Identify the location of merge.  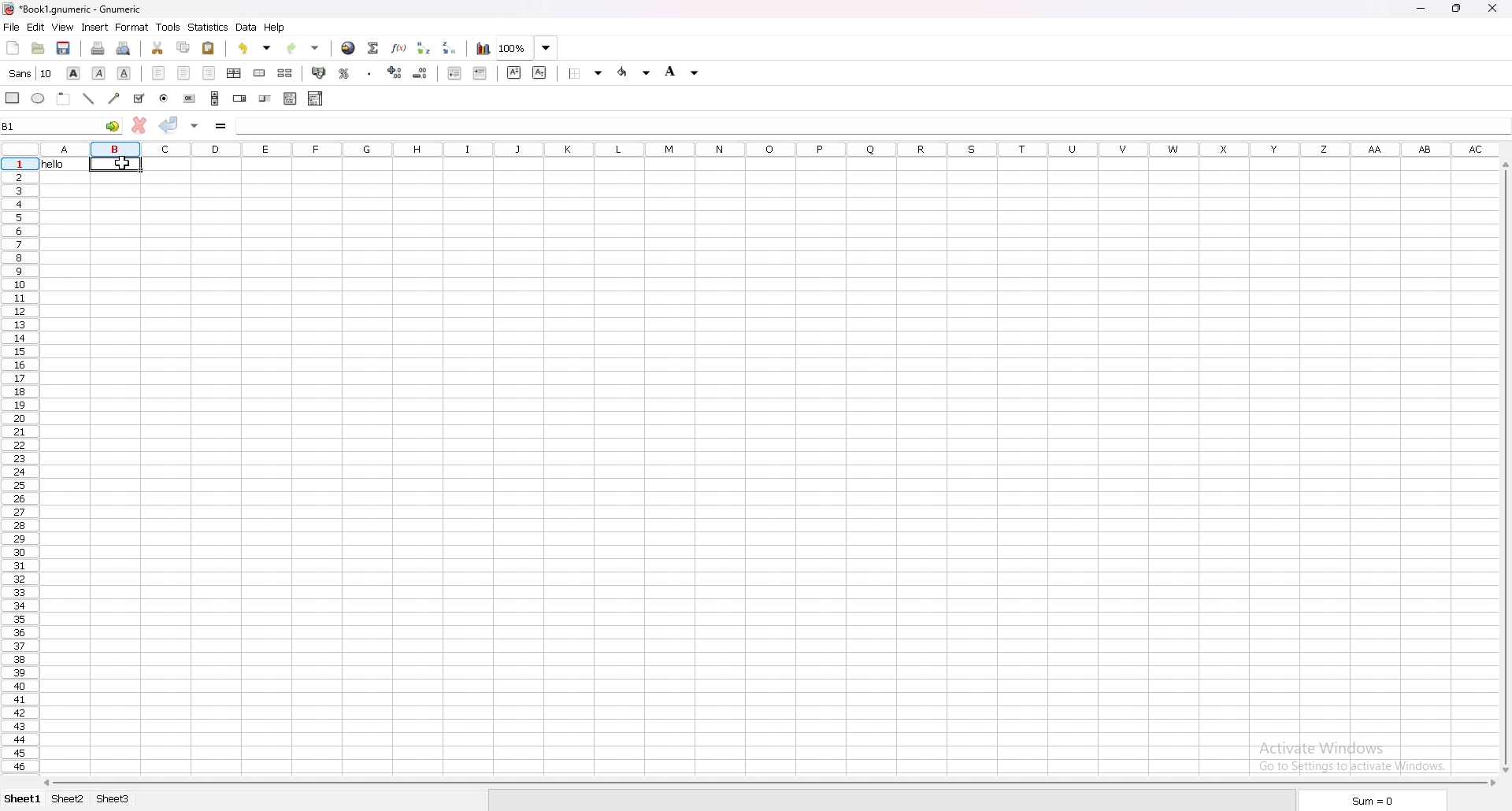
(259, 73).